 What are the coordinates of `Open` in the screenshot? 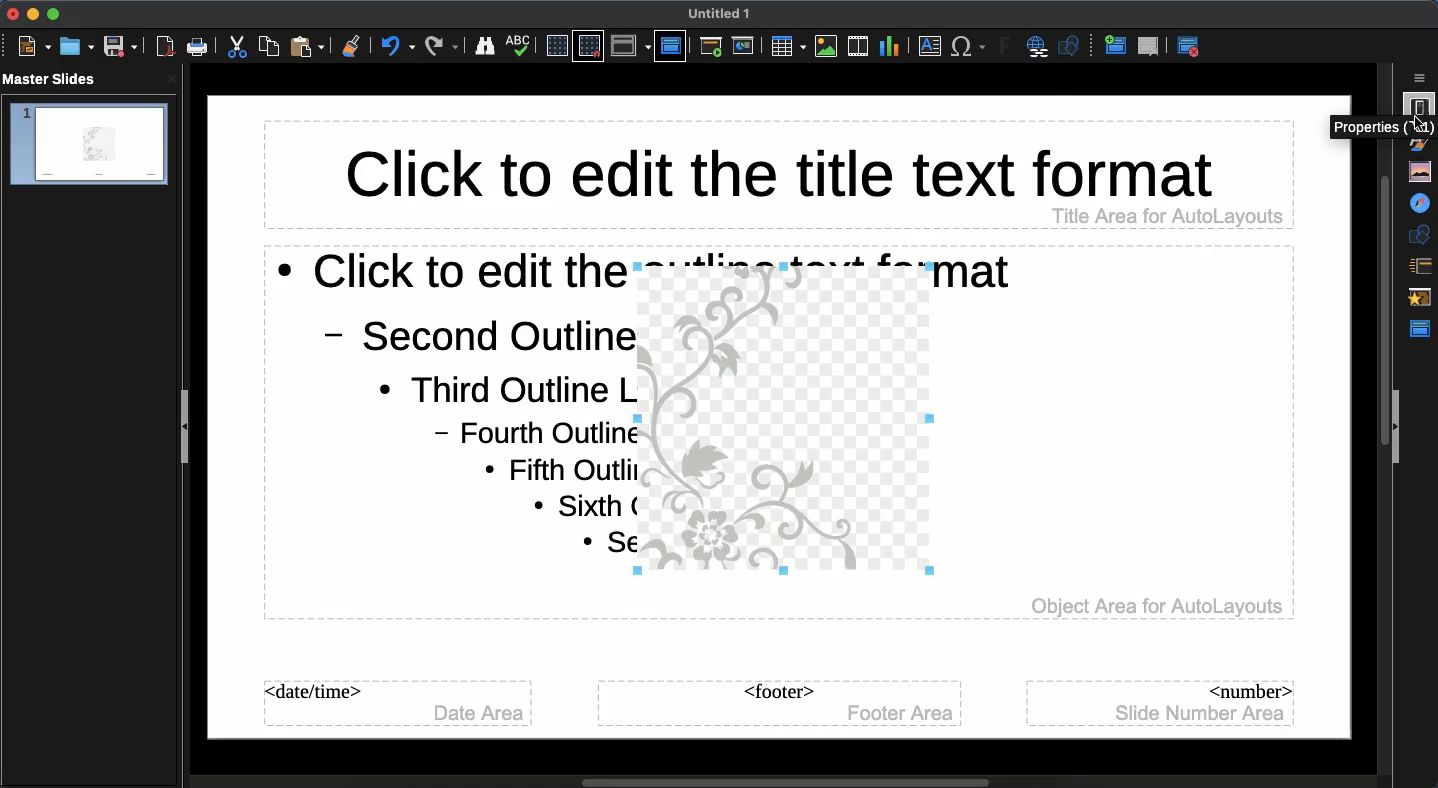 It's located at (75, 46).